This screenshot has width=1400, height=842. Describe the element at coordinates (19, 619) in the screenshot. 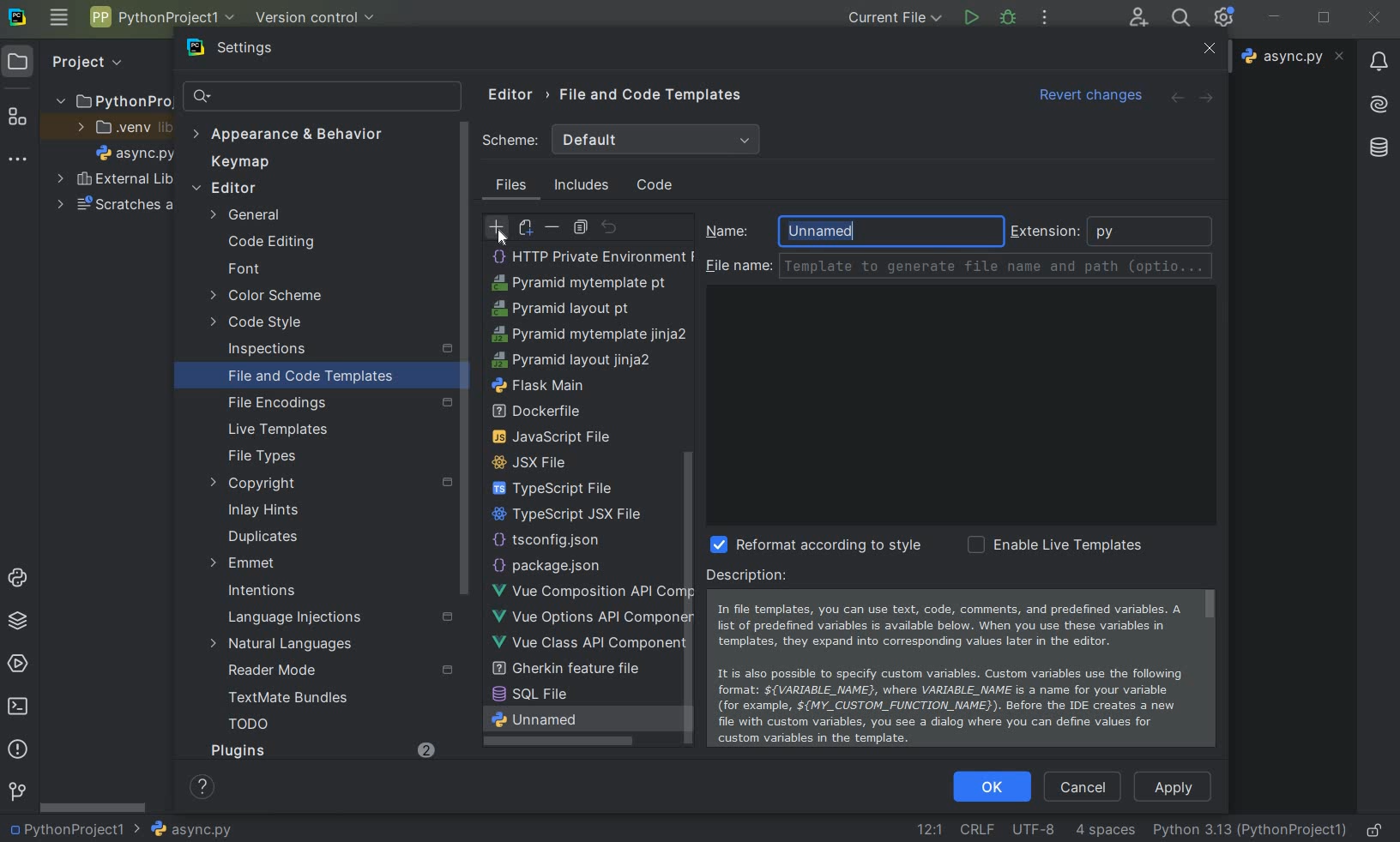

I see `python packages` at that location.